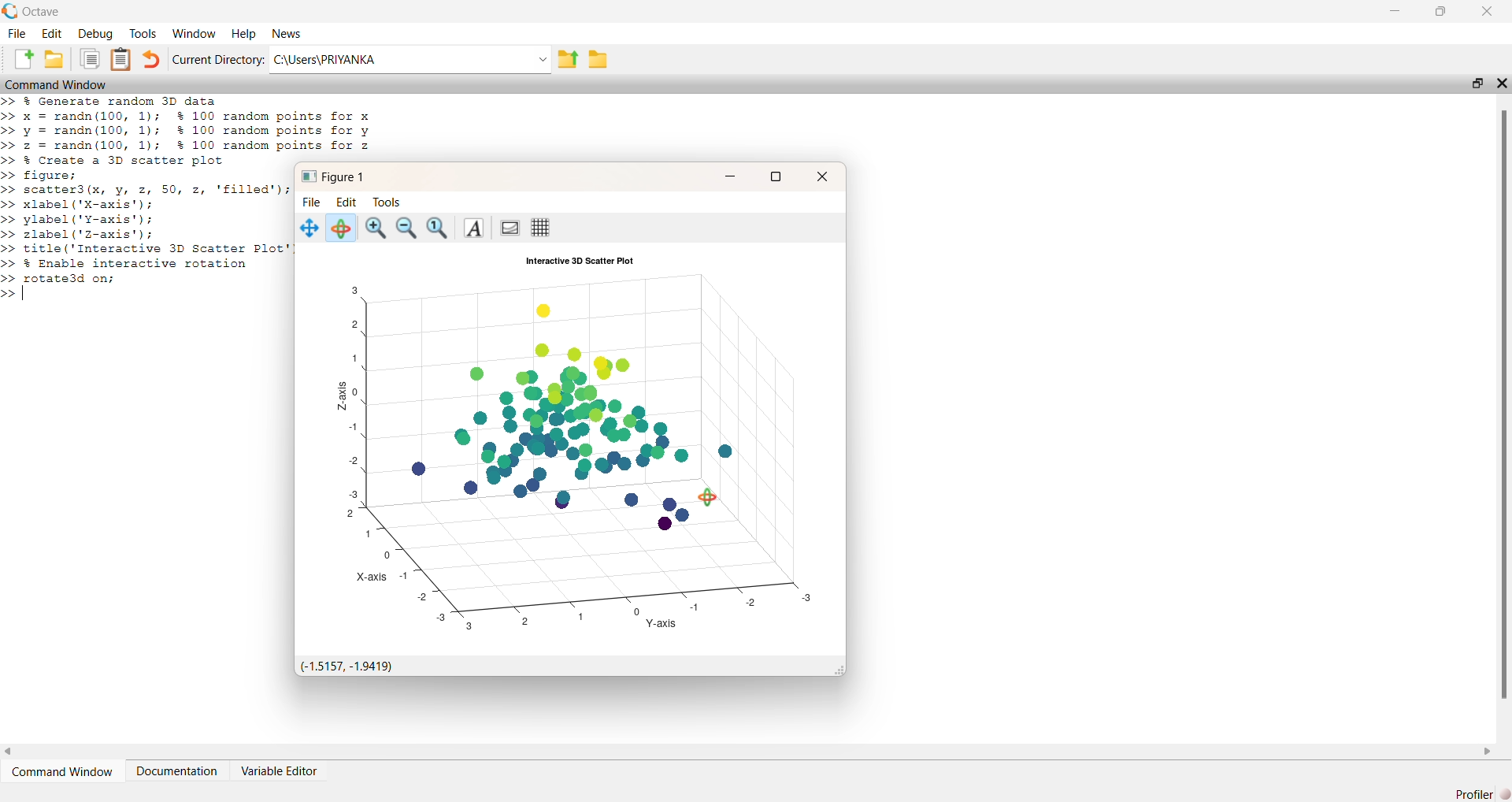 The image size is (1512, 802). I want to click on zoom in, so click(376, 229).